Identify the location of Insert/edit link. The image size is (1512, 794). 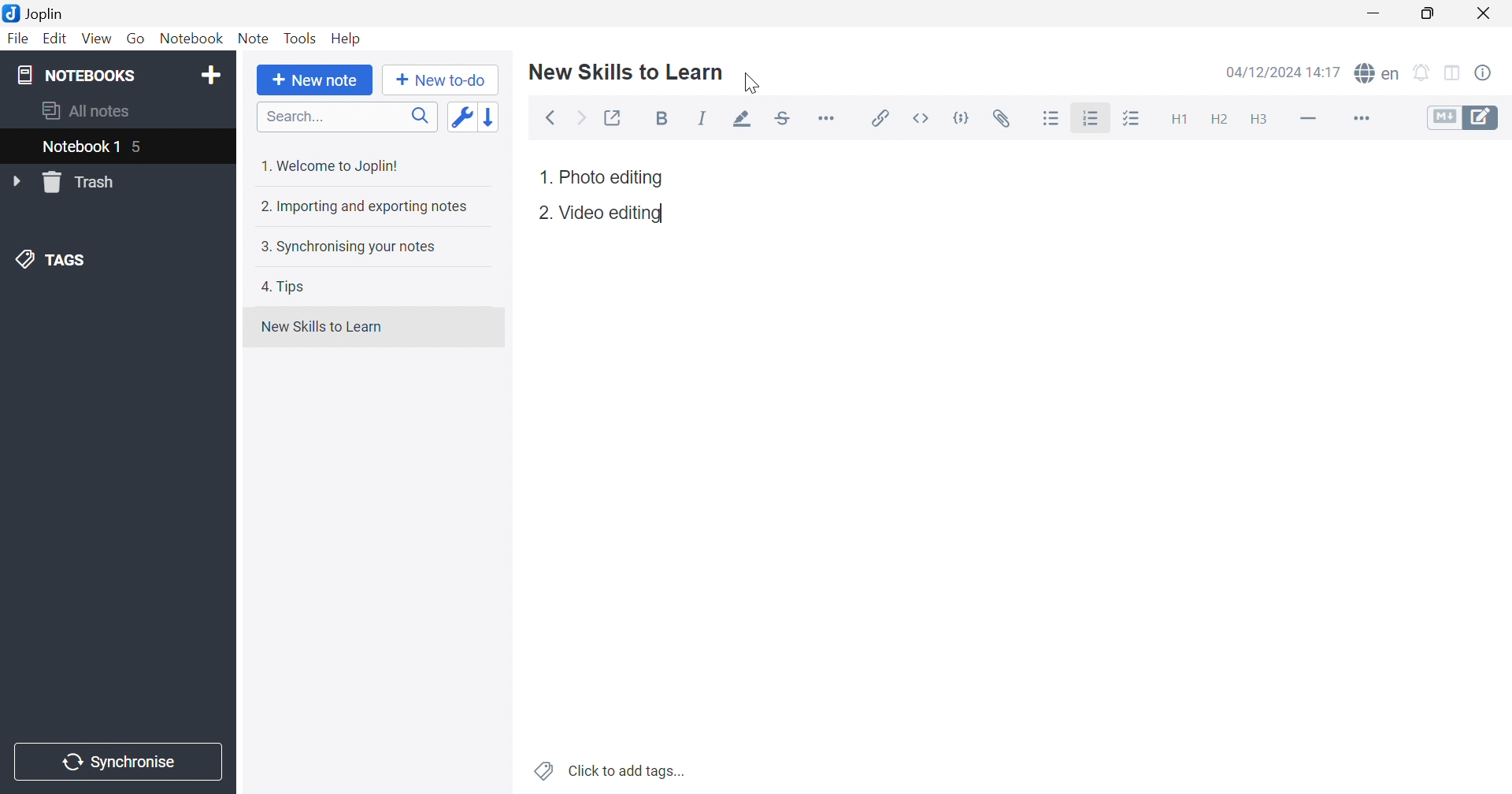
(878, 118).